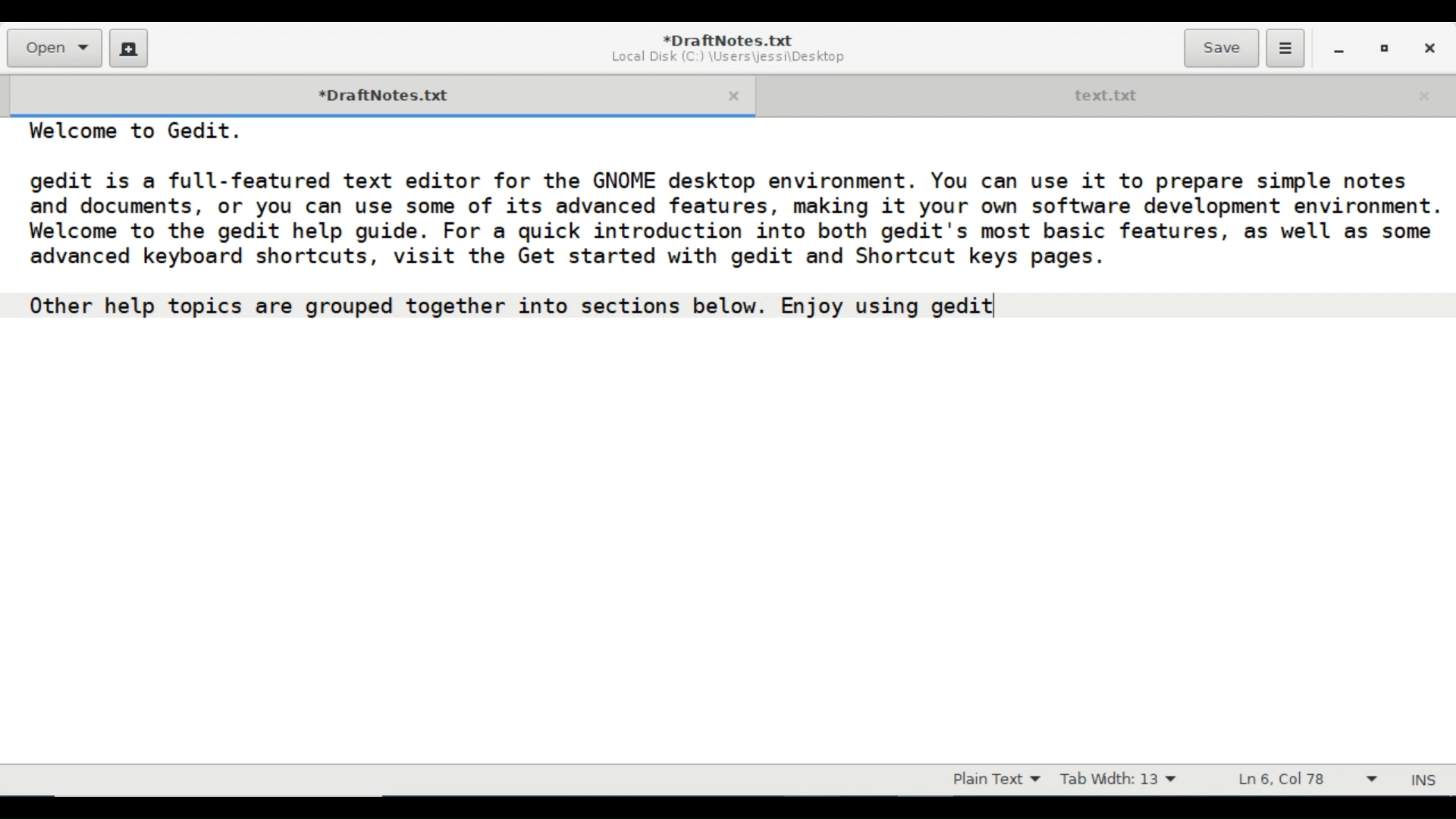 The width and height of the screenshot is (1456, 819). What do you see at coordinates (1385, 47) in the screenshot?
I see `Restore` at bounding box center [1385, 47].